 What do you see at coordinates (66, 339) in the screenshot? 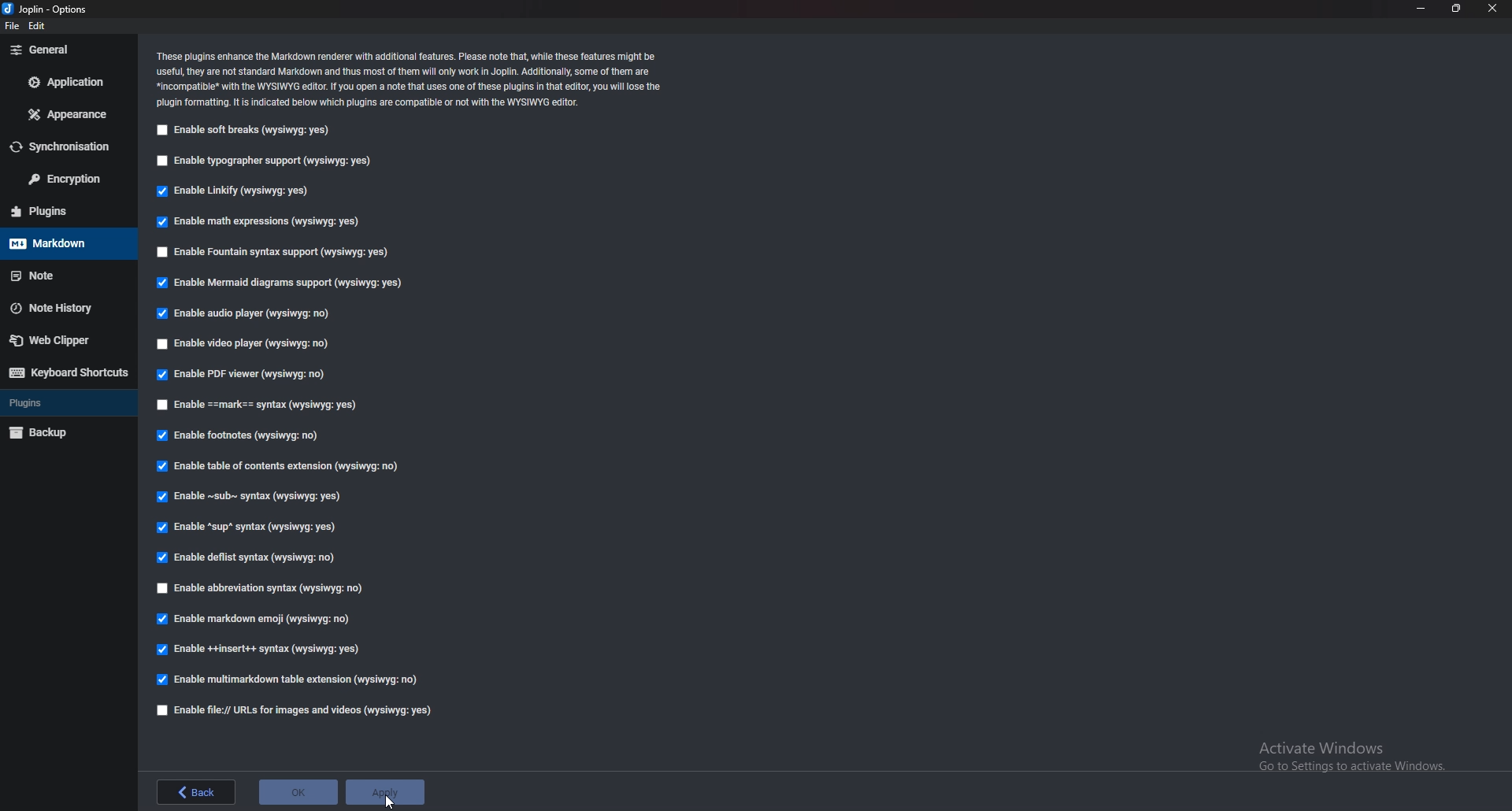
I see `Web Clipper` at bounding box center [66, 339].